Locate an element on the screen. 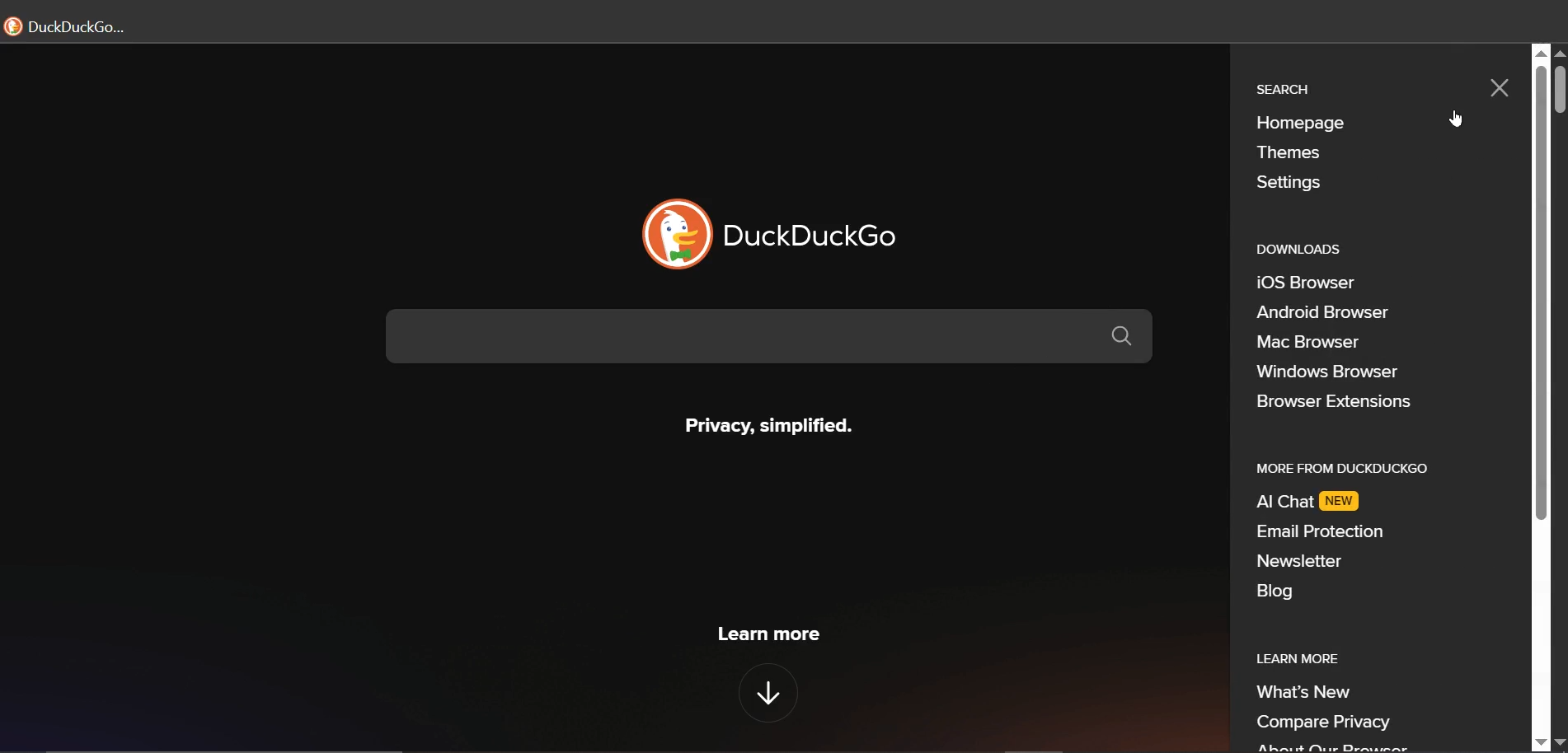  logo is located at coordinates (673, 235).